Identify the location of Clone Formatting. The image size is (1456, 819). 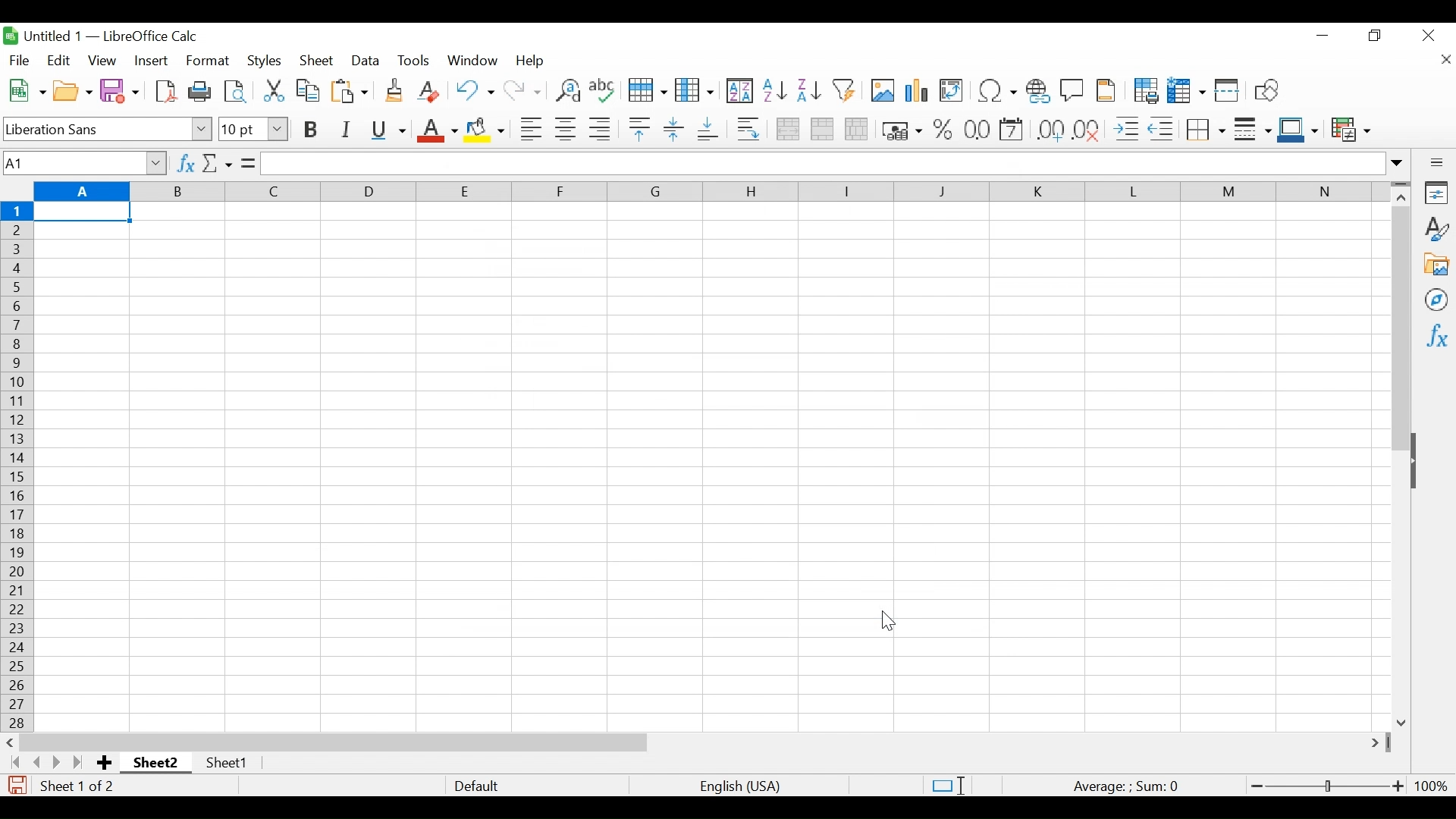
(393, 91).